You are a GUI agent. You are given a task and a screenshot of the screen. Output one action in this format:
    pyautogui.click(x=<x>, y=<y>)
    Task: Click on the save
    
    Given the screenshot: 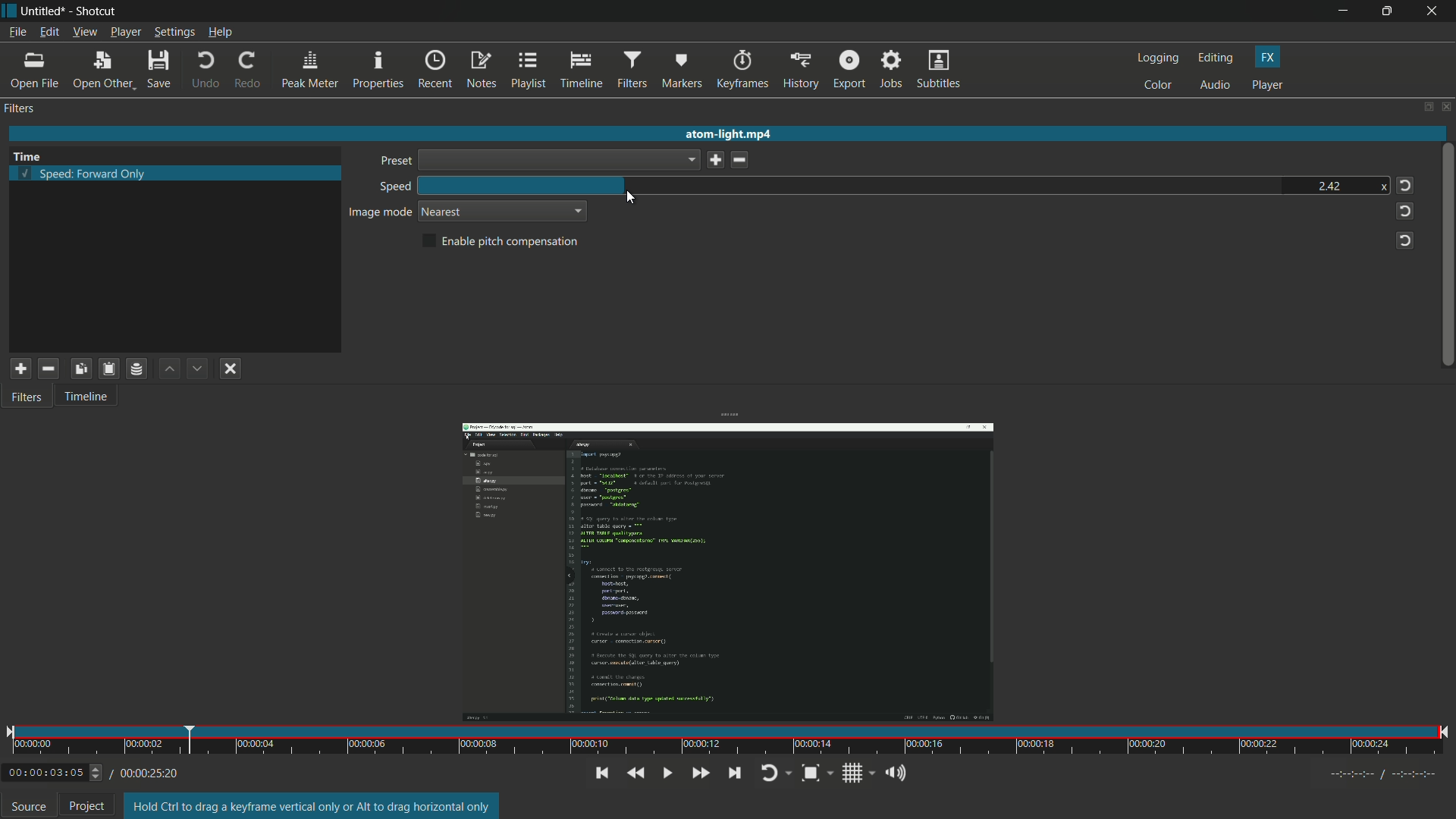 What is the action you would take?
    pyautogui.click(x=713, y=160)
    